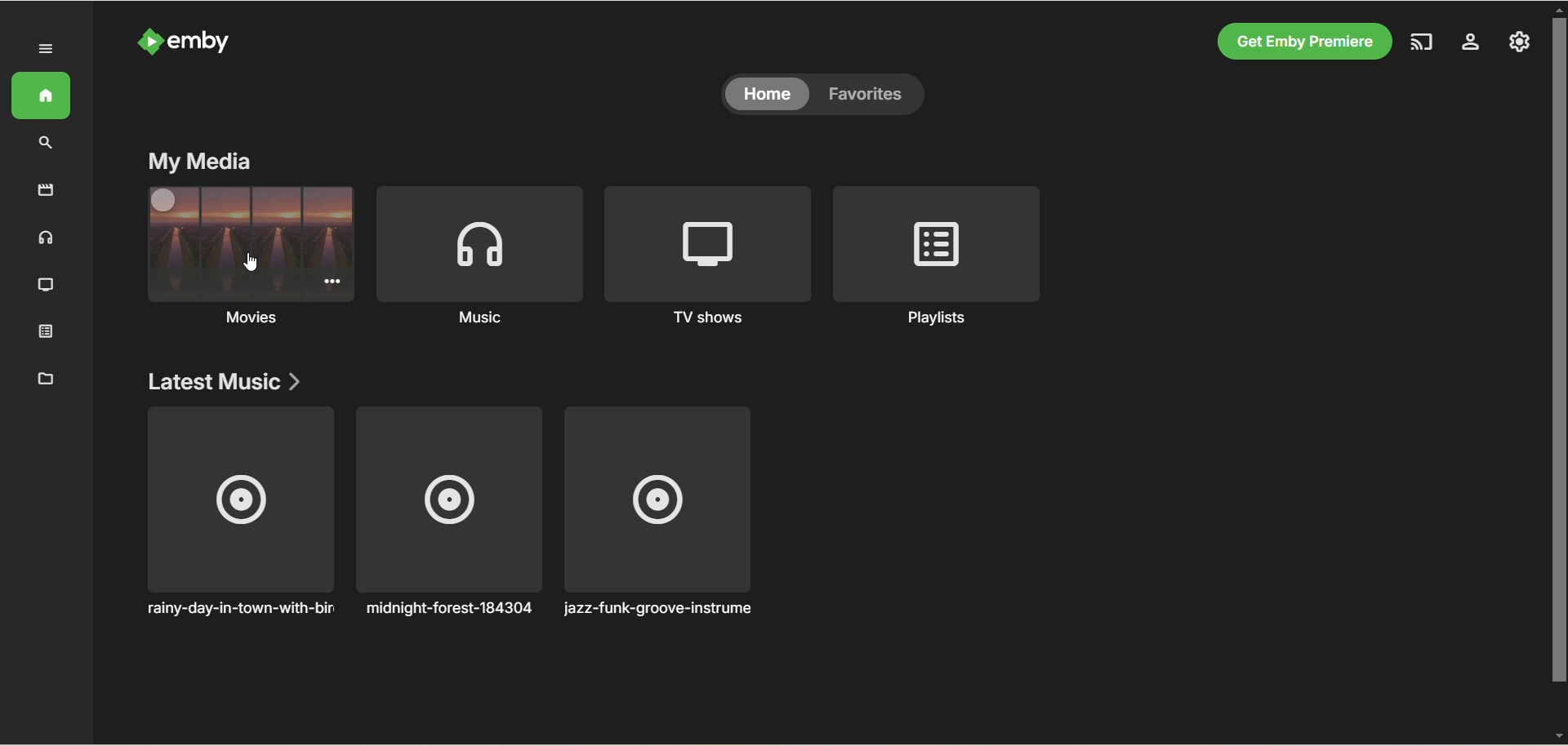 Image resolution: width=1568 pixels, height=746 pixels. I want to click on play on another device, so click(1423, 42).